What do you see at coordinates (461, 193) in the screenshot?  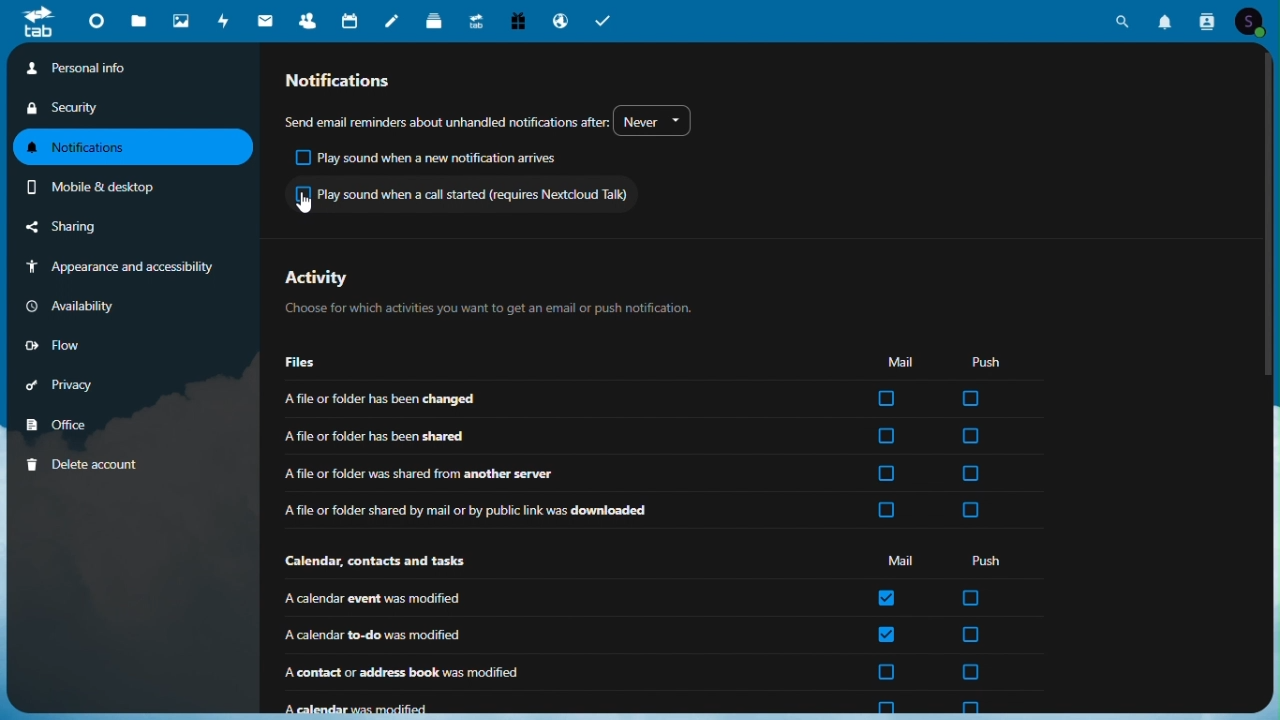 I see `Please sound when call started : requires next cloud talk.` at bounding box center [461, 193].